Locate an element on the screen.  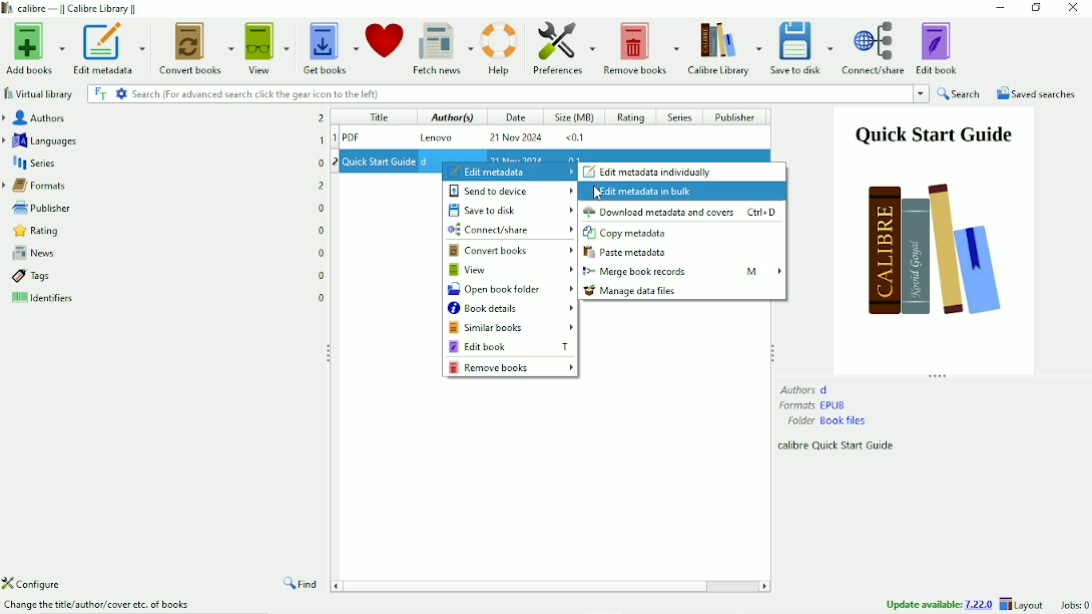
View is located at coordinates (268, 47).